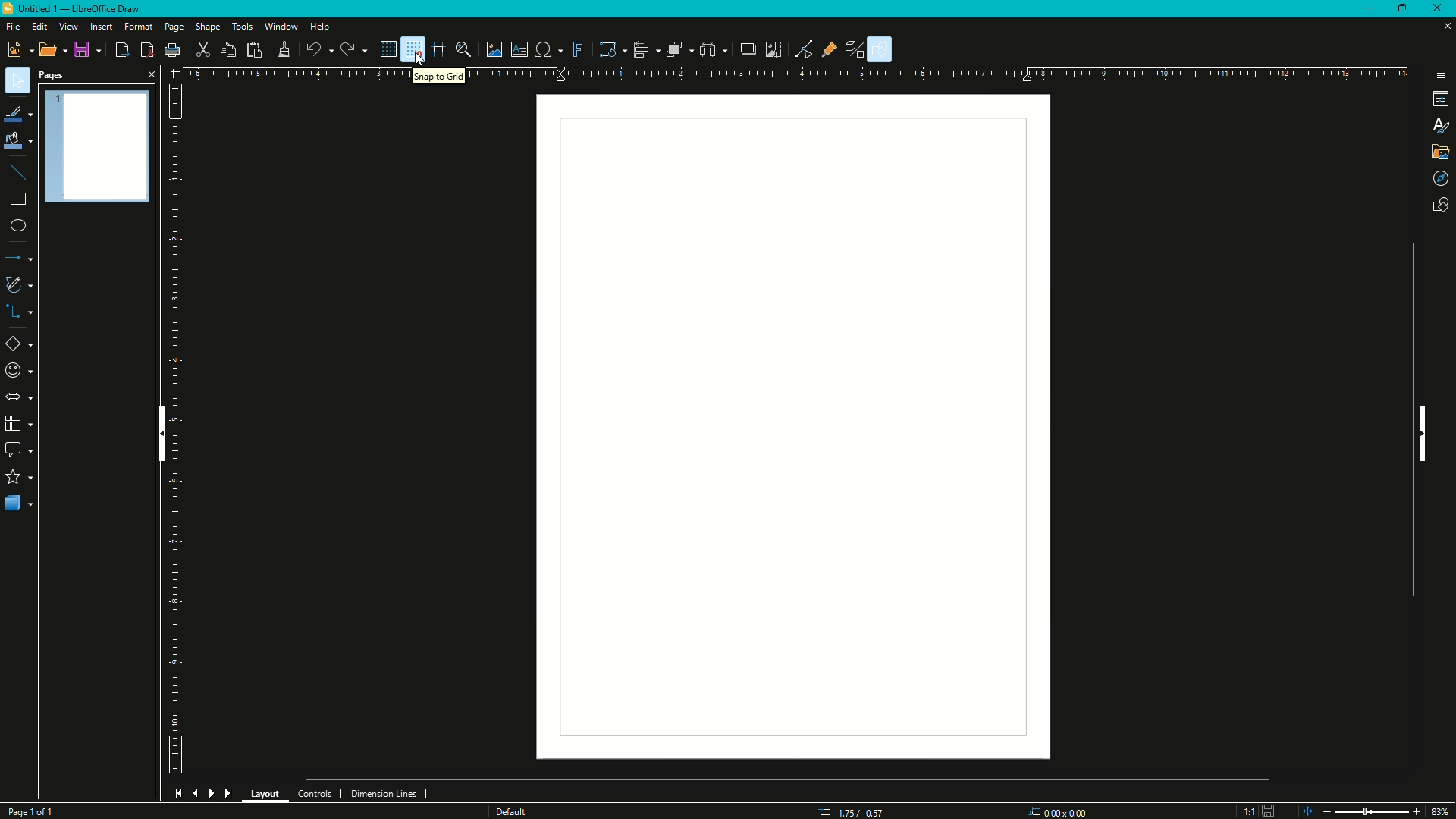 This screenshot has height=819, width=1456. I want to click on 3D Objects, so click(23, 505).